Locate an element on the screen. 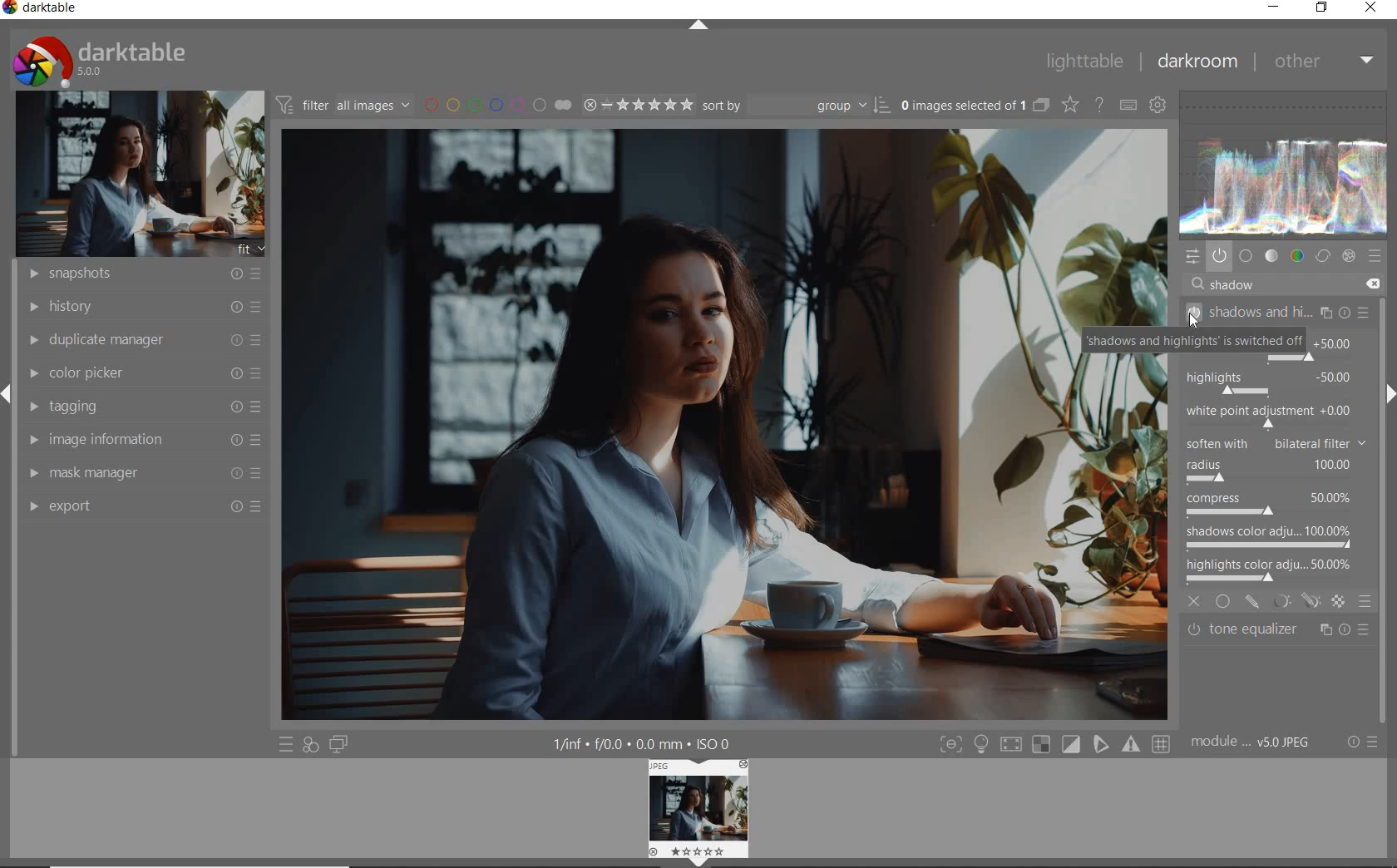 The width and height of the screenshot is (1397, 868). lighttable is located at coordinates (1084, 62).